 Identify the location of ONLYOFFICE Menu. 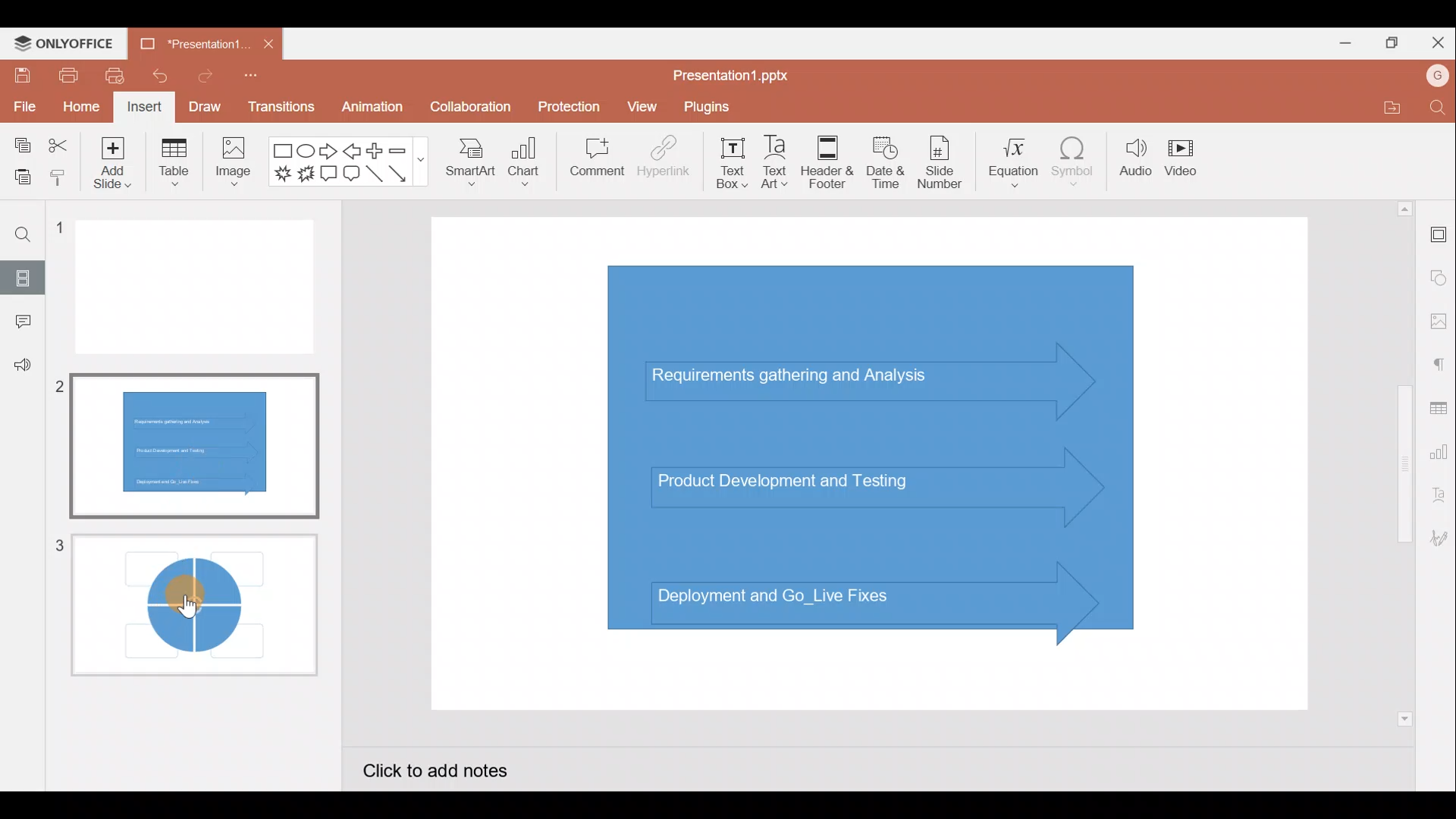
(72, 44).